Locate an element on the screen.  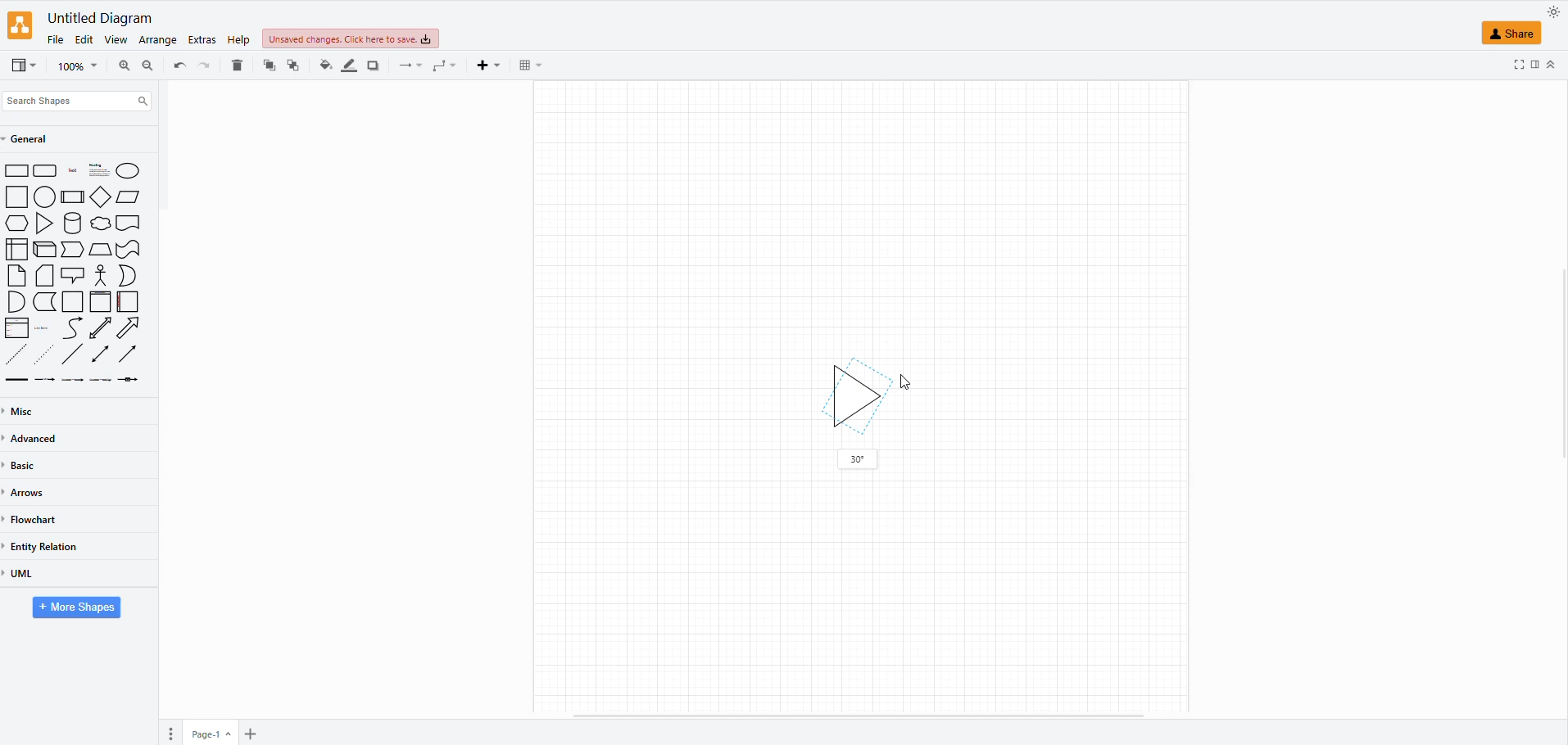
to back is located at coordinates (268, 65).